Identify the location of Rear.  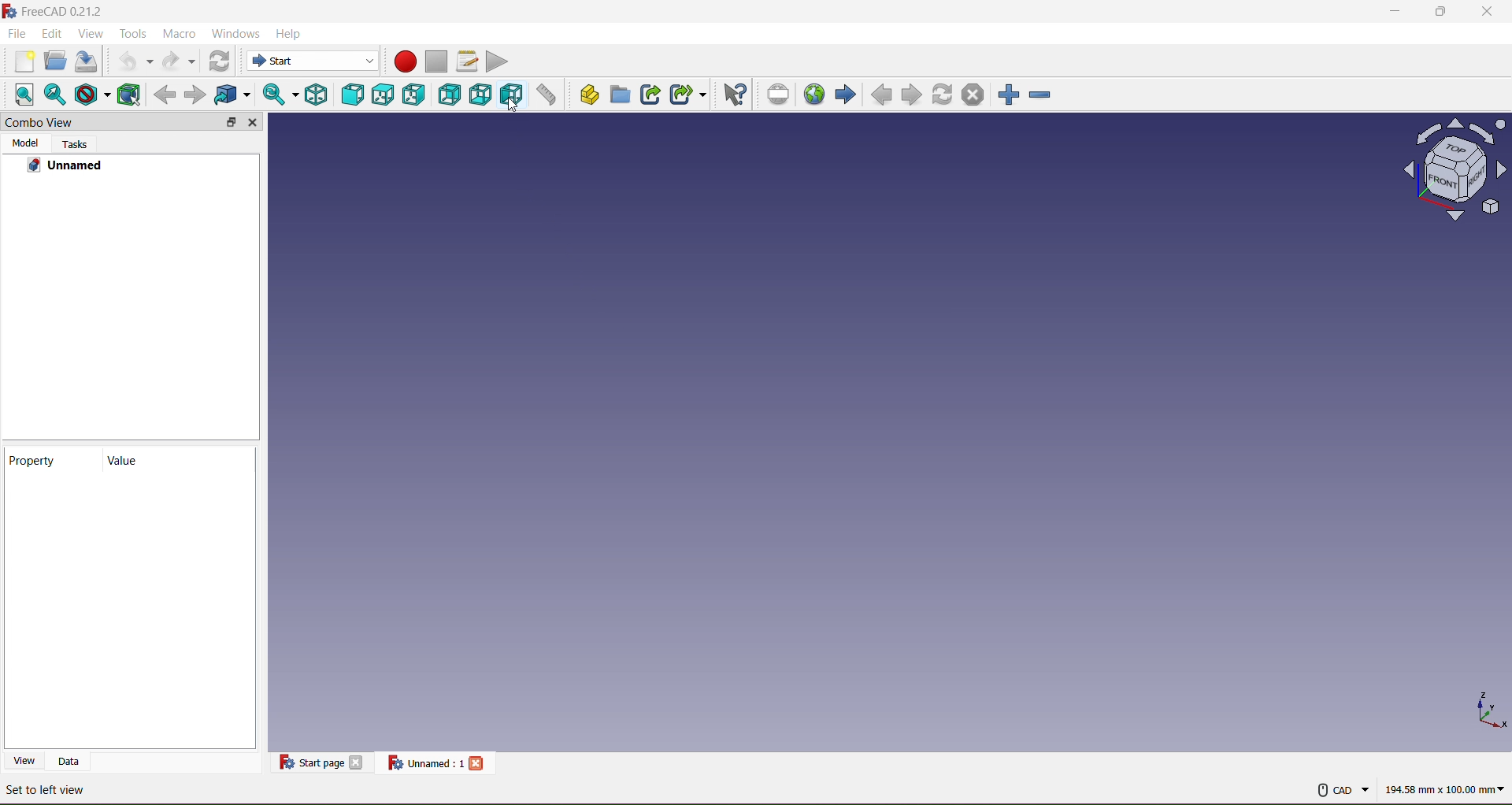
(449, 95).